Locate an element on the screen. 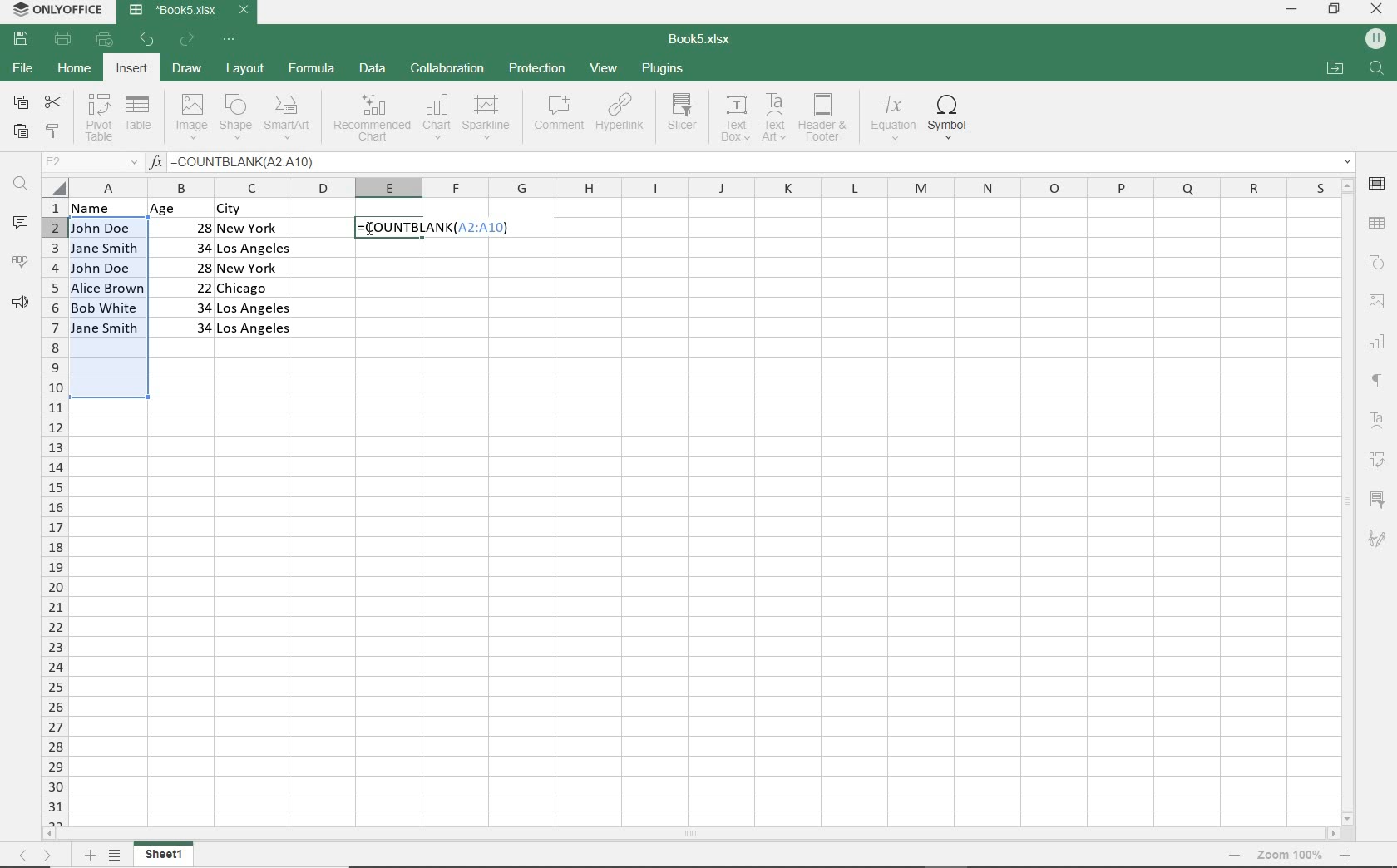  John Doe is located at coordinates (103, 268).